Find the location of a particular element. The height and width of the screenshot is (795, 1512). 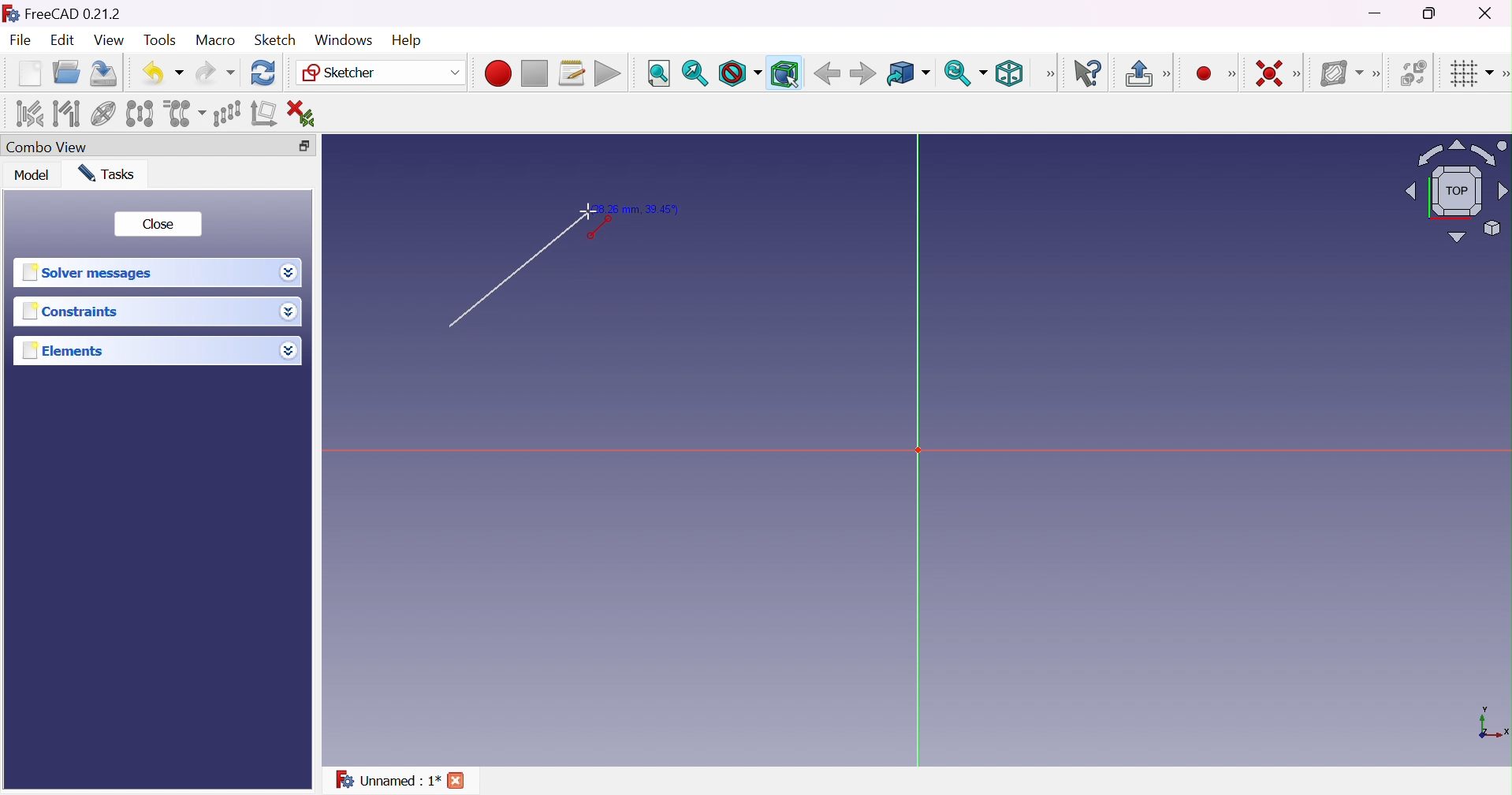

Rectangular array is located at coordinates (225, 113).